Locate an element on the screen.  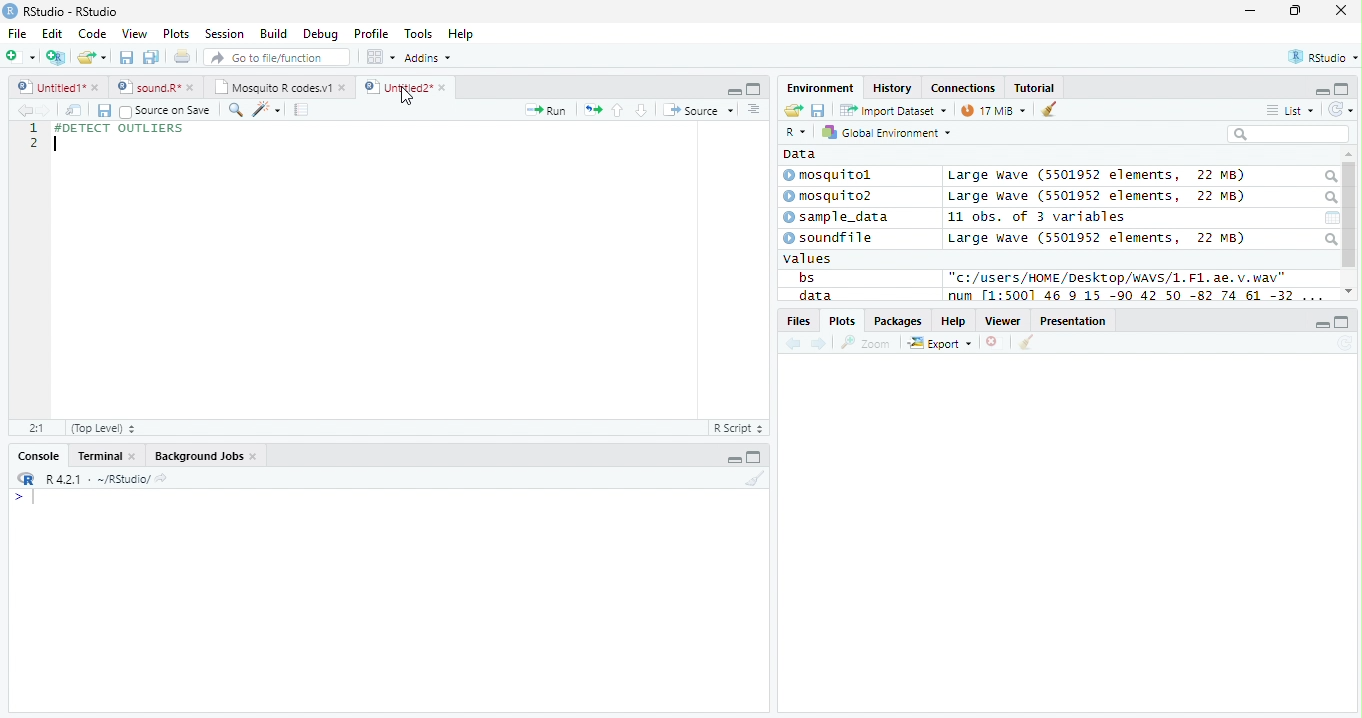
Source is located at coordinates (700, 109).